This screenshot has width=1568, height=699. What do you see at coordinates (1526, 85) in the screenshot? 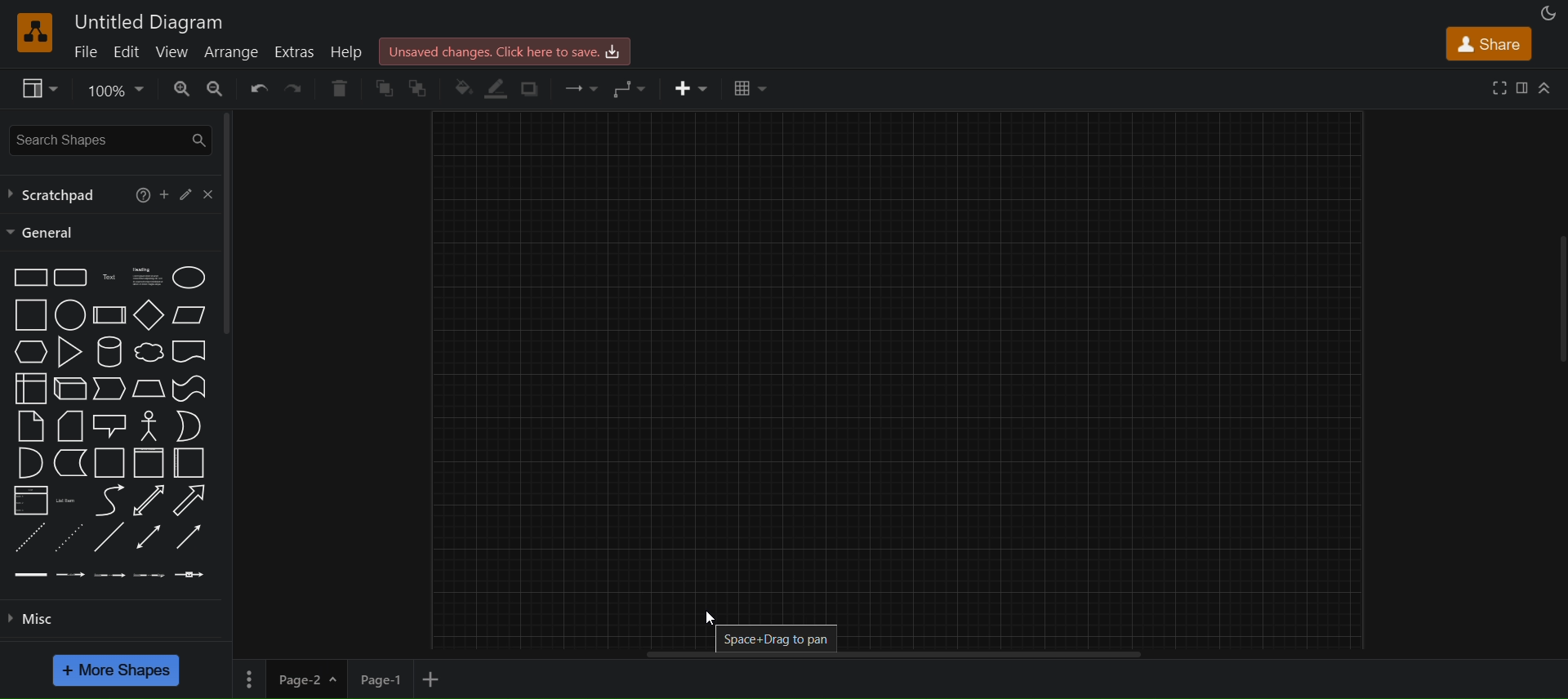
I see `format` at bounding box center [1526, 85].